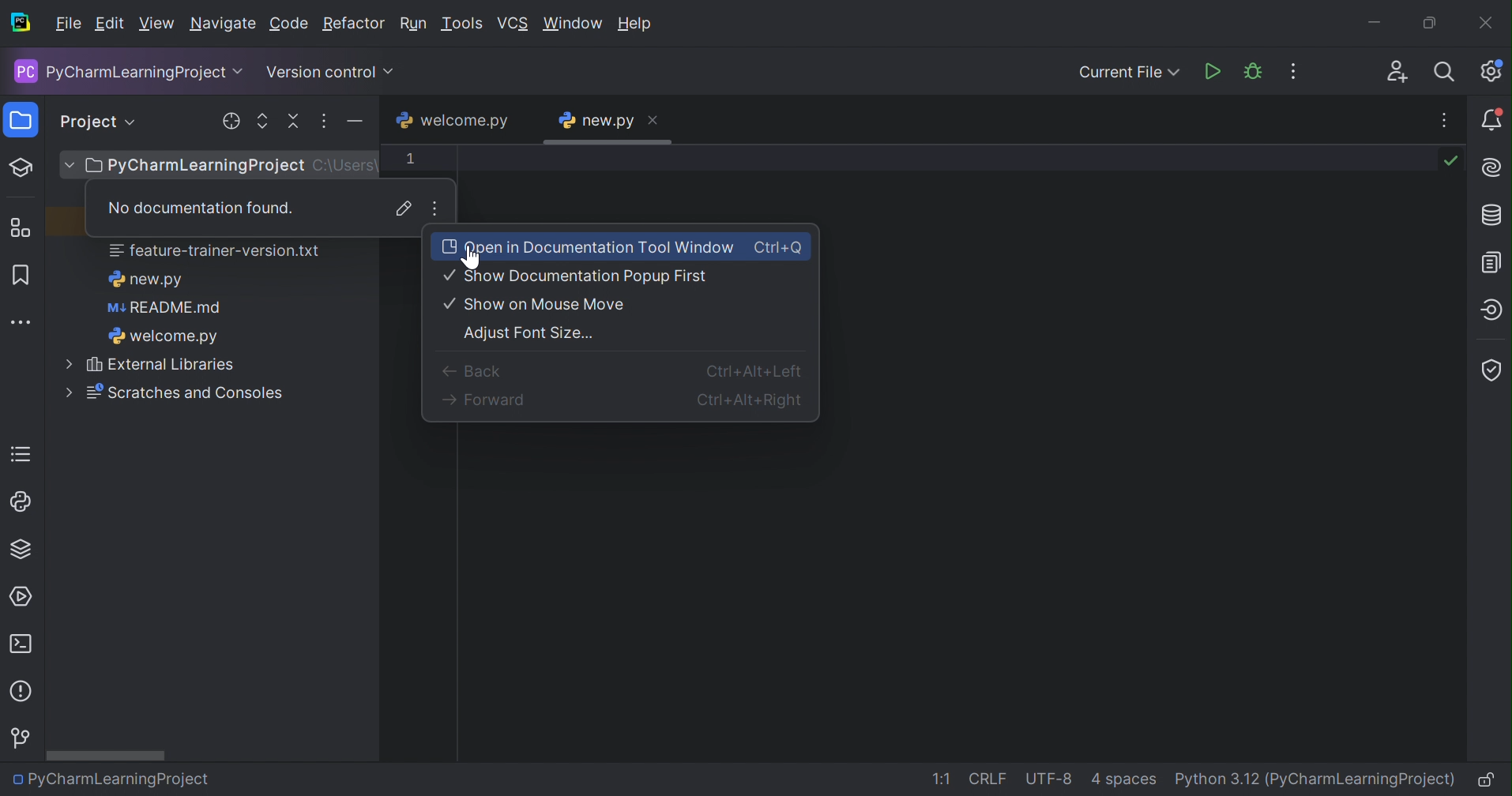  Describe the element at coordinates (1445, 117) in the screenshot. I see `Recent Files, Tab Actions, and More` at that location.